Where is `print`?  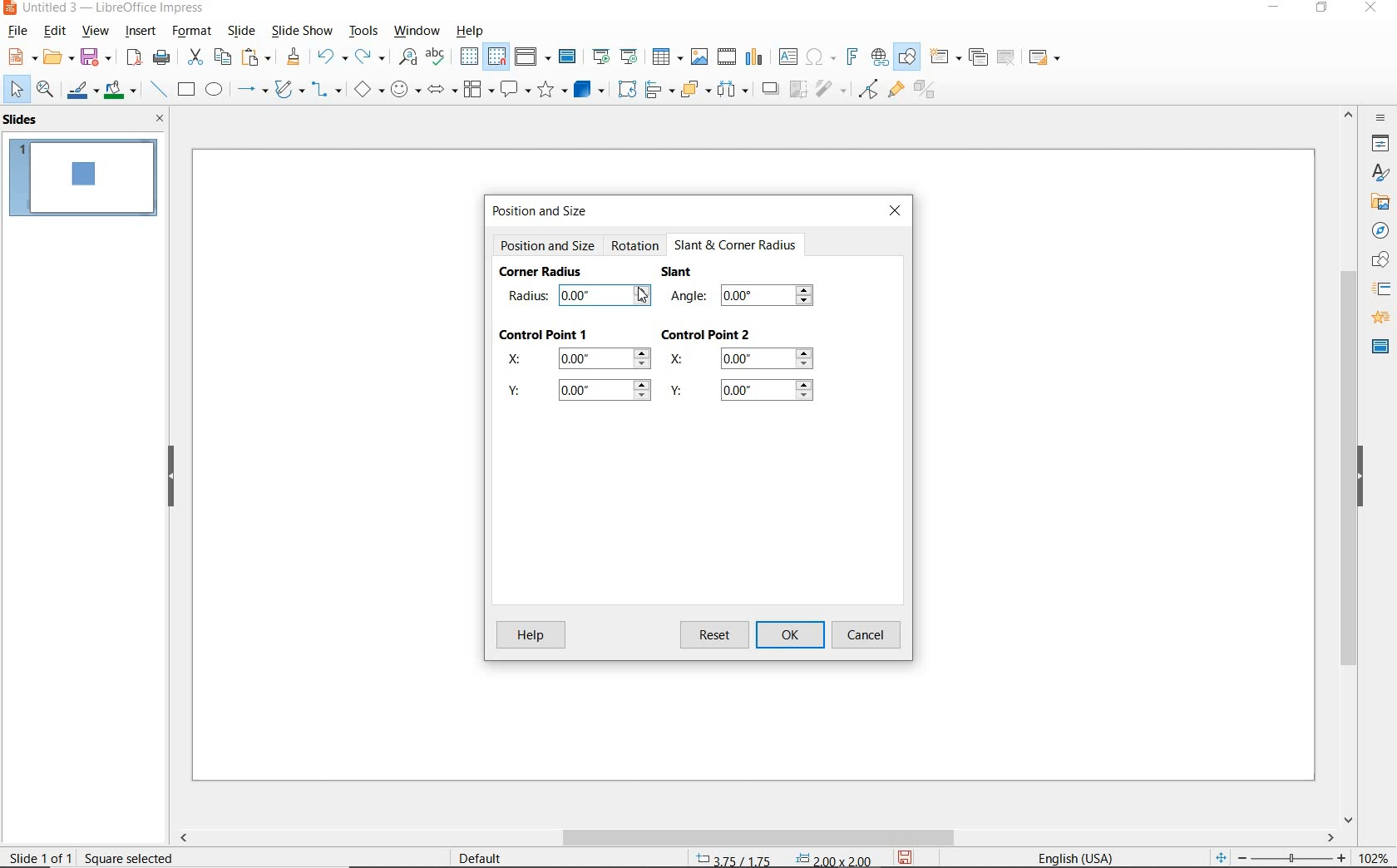 print is located at coordinates (163, 57).